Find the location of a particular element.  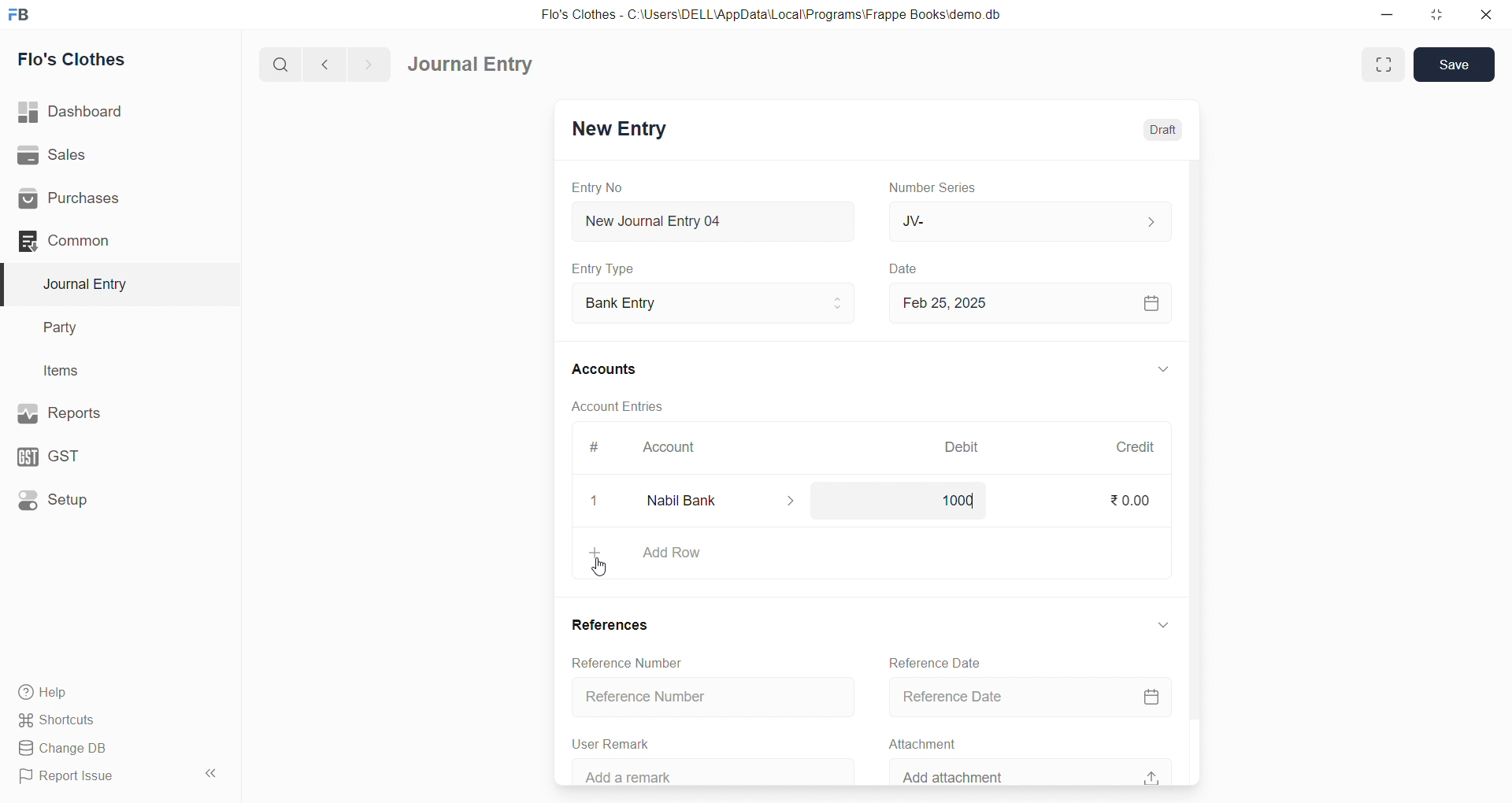

Entry No. is located at coordinates (597, 187).